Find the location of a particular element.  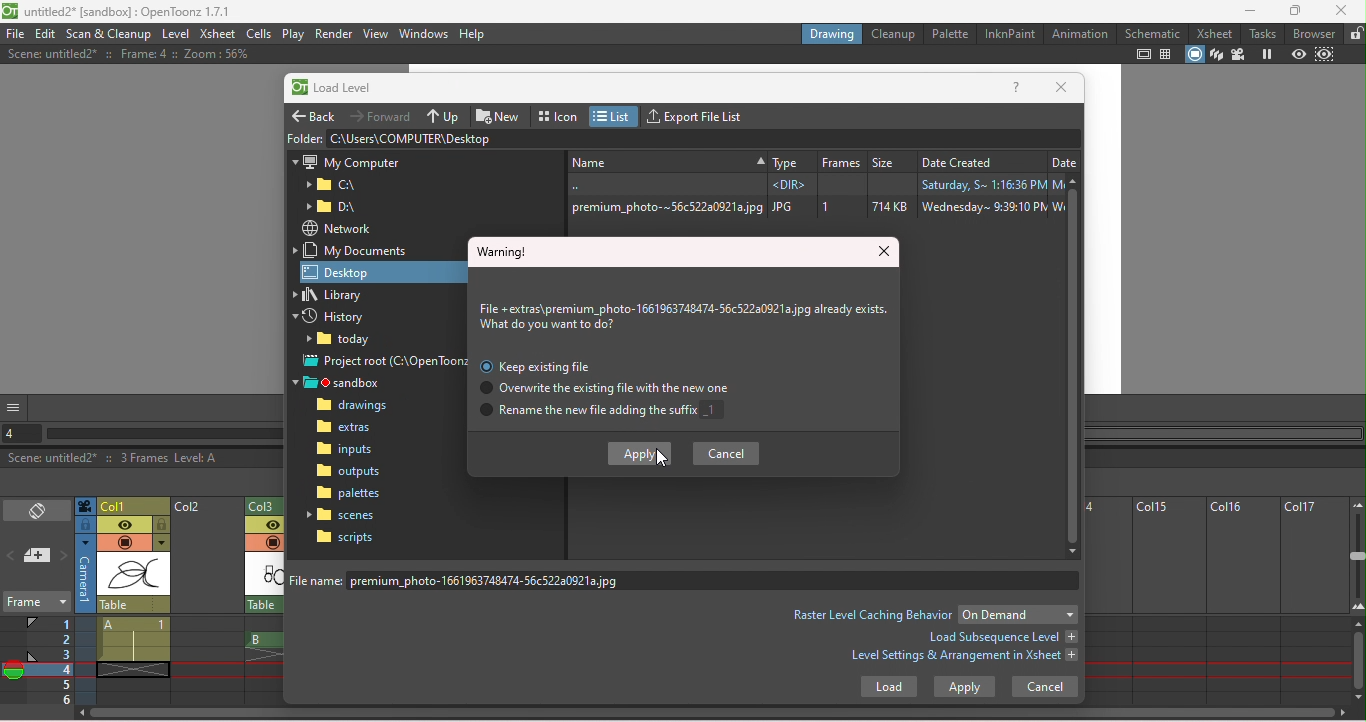

Windows is located at coordinates (424, 32).